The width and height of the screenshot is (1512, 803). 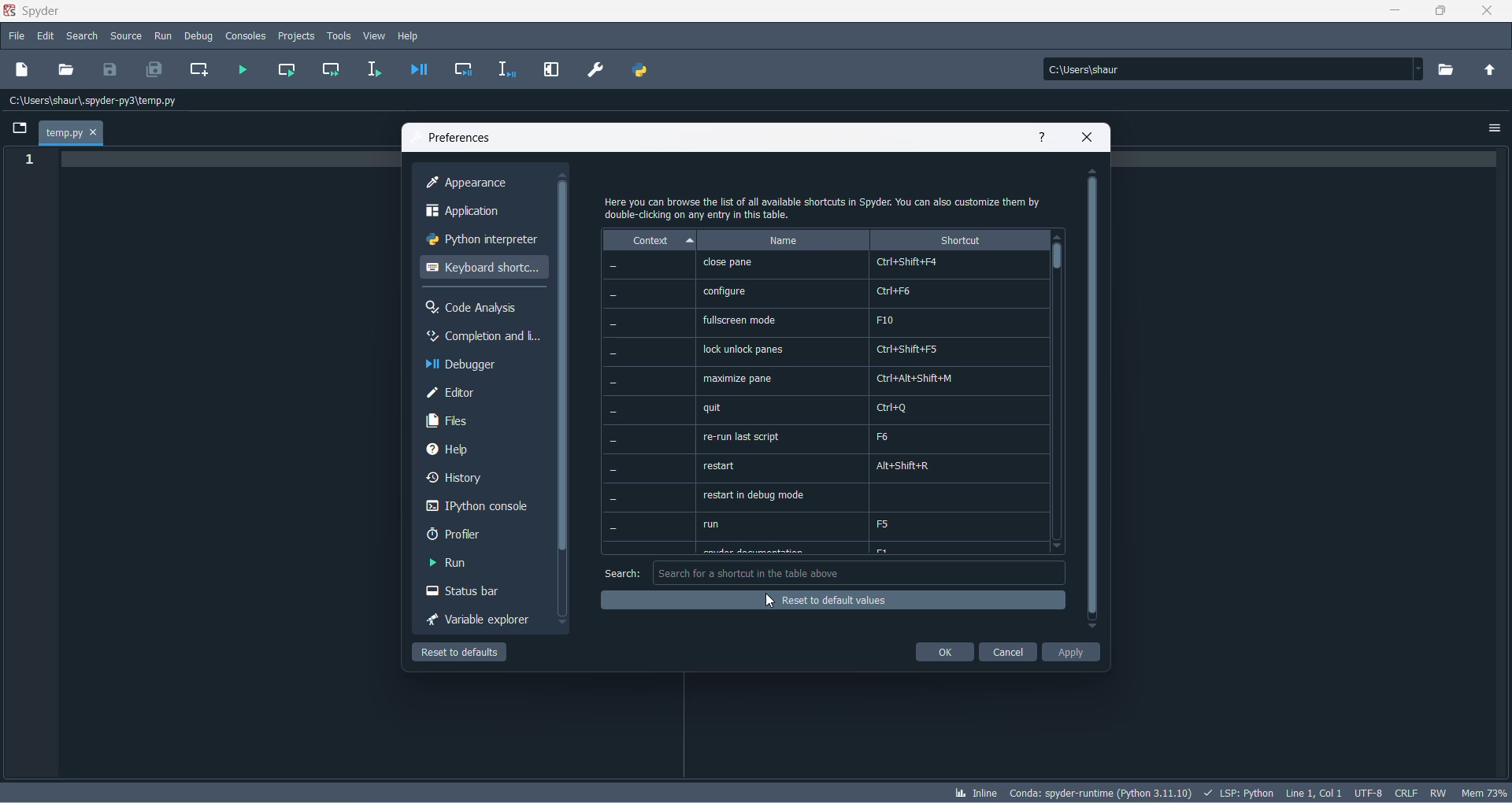 I want to click on scrollbar, so click(x=1061, y=259).